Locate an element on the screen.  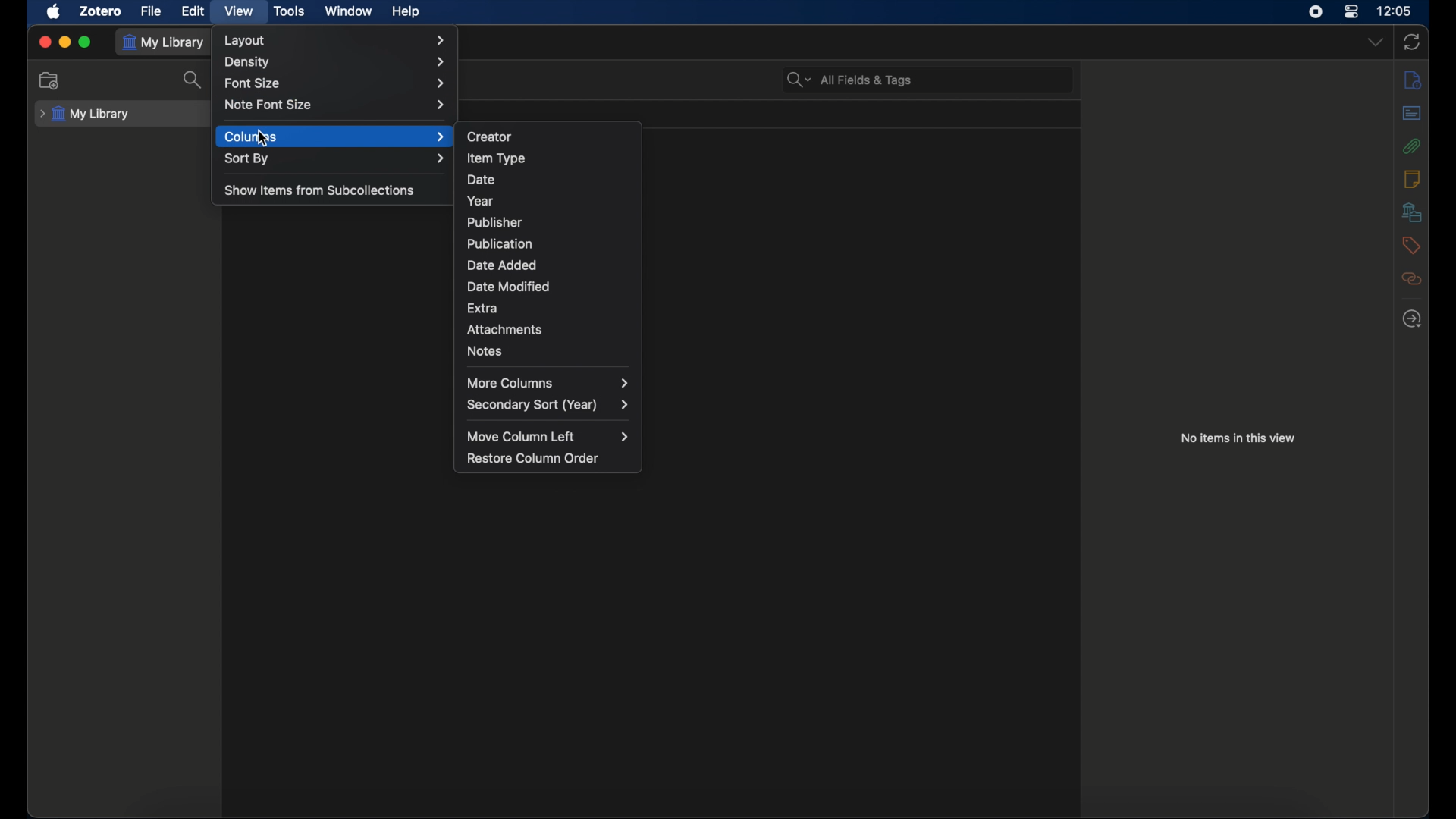
columns is located at coordinates (336, 136).